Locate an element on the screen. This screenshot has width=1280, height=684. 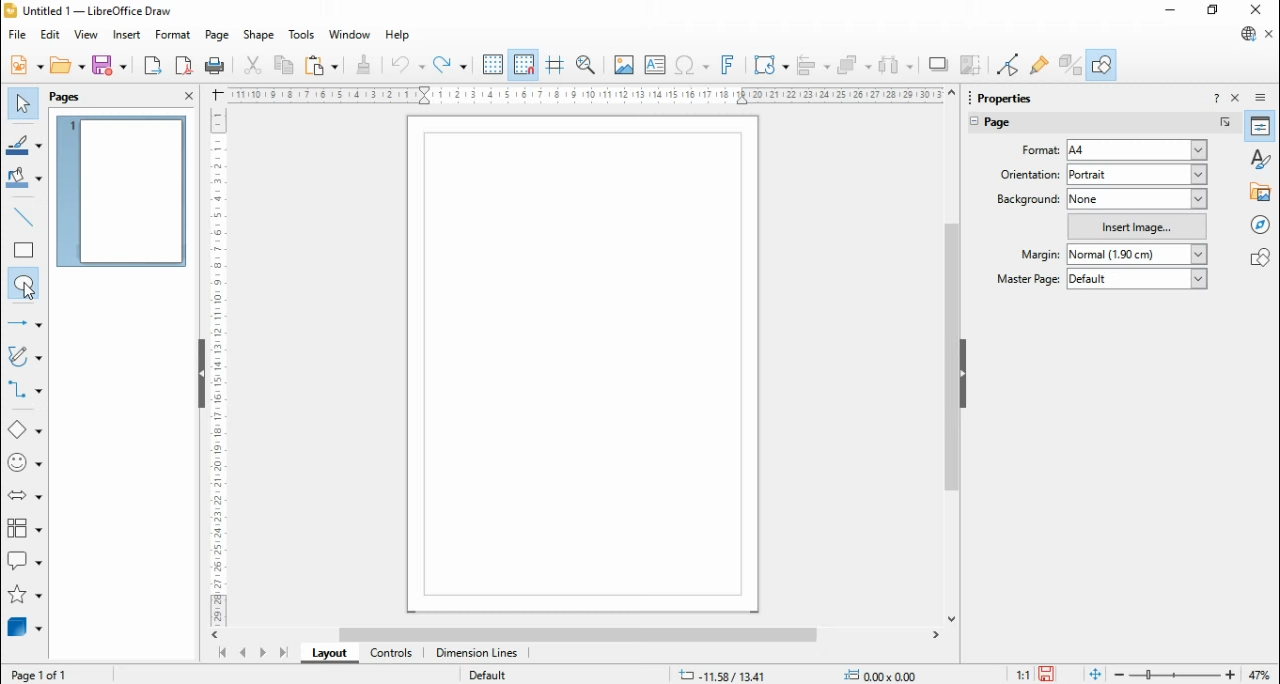
navigator is located at coordinates (1262, 224).